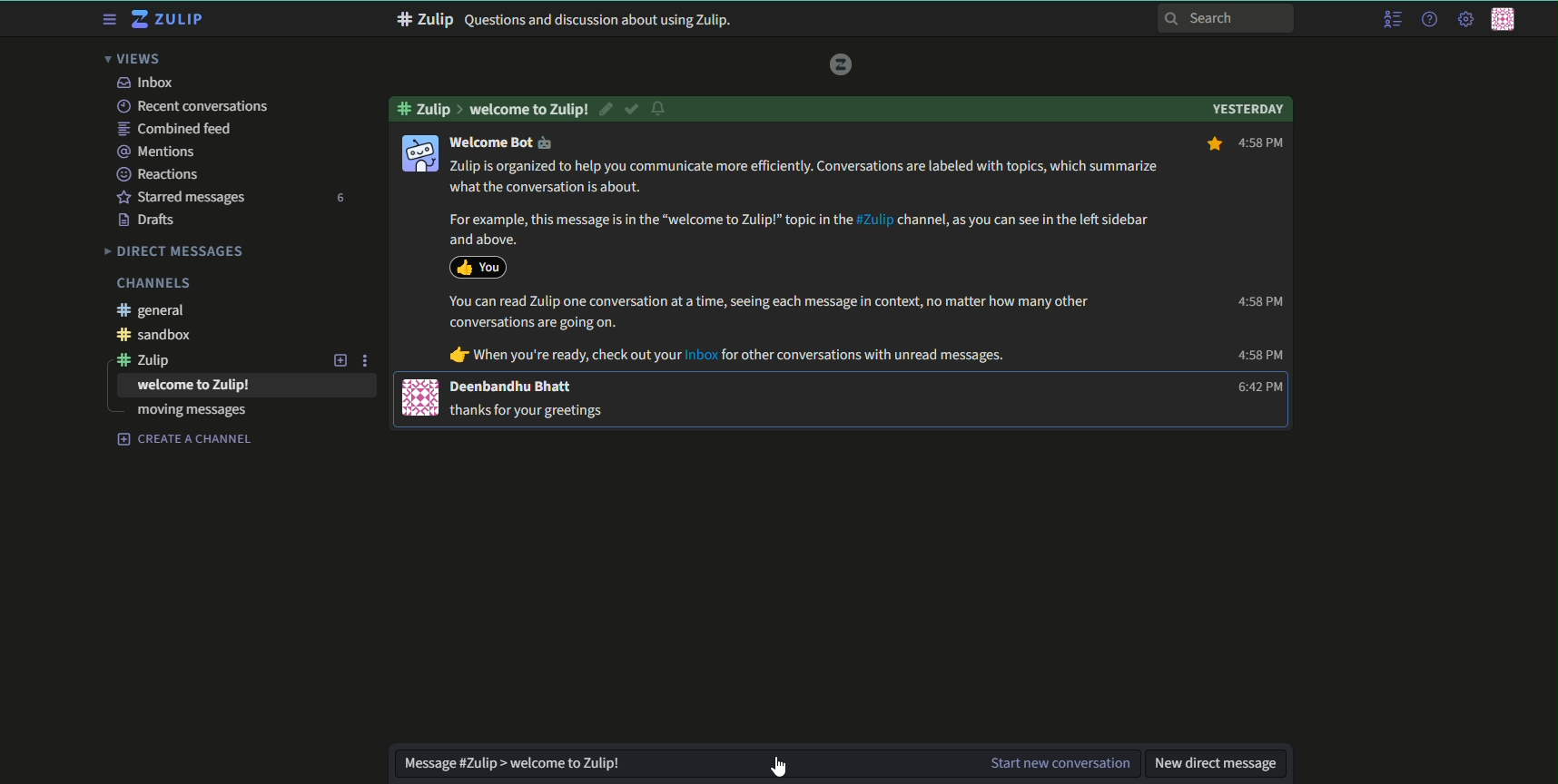 Image resolution: width=1558 pixels, height=784 pixels. What do you see at coordinates (607, 109) in the screenshot?
I see `edit` at bounding box center [607, 109].